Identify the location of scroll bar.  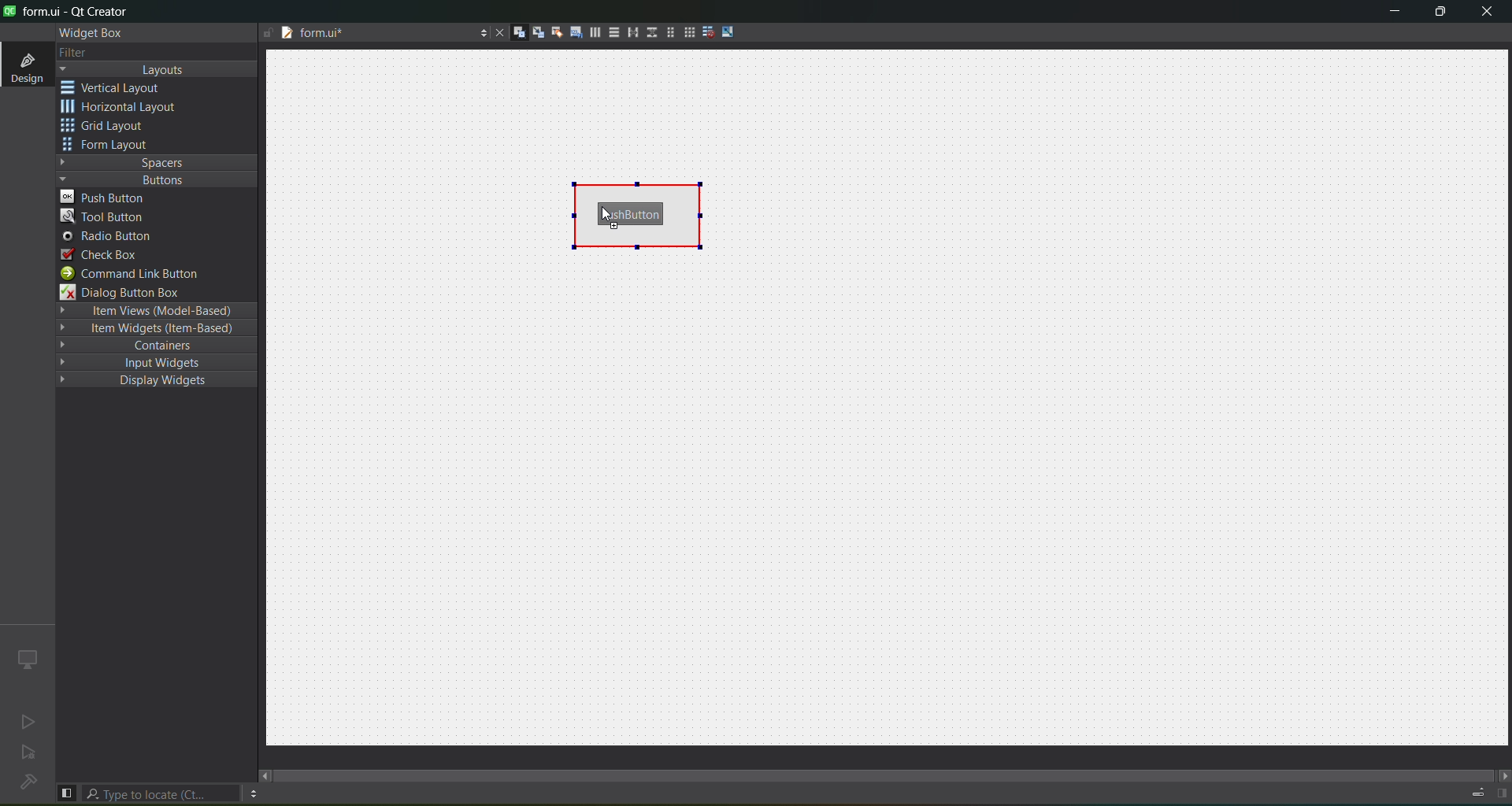
(885, 768).